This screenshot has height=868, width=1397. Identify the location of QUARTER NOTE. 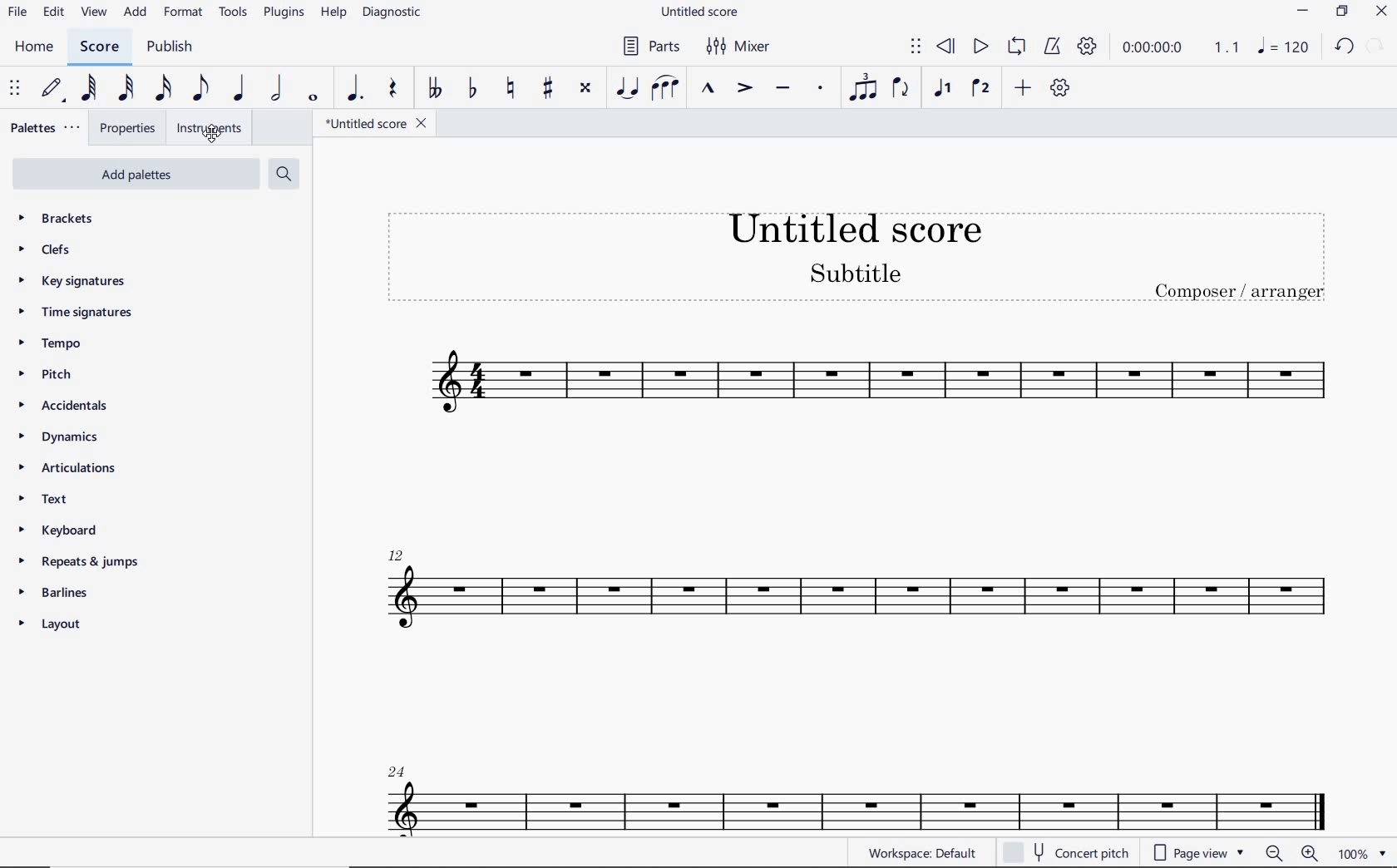
(239, 89).